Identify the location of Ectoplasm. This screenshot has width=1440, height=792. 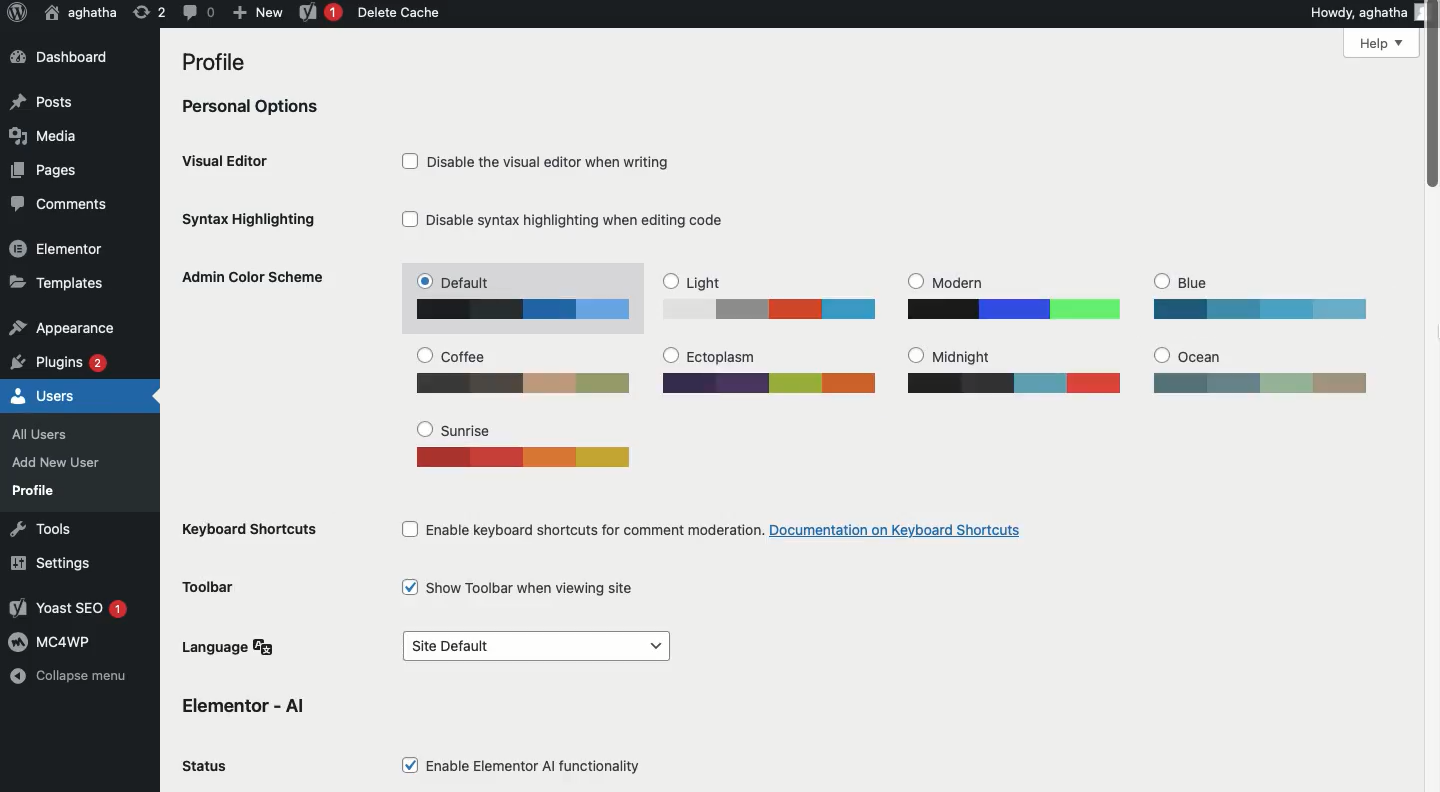
(767, 369).